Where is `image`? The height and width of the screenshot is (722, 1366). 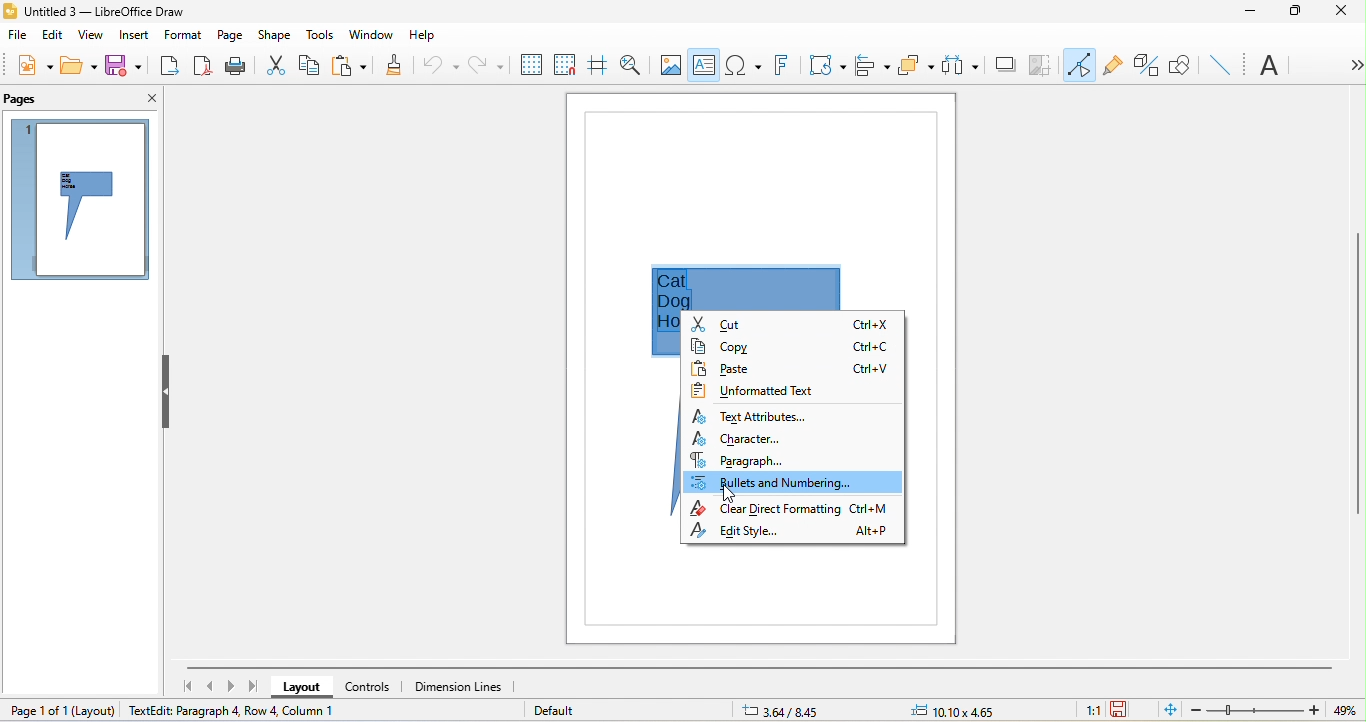
image is located at coordinates (672, 64).